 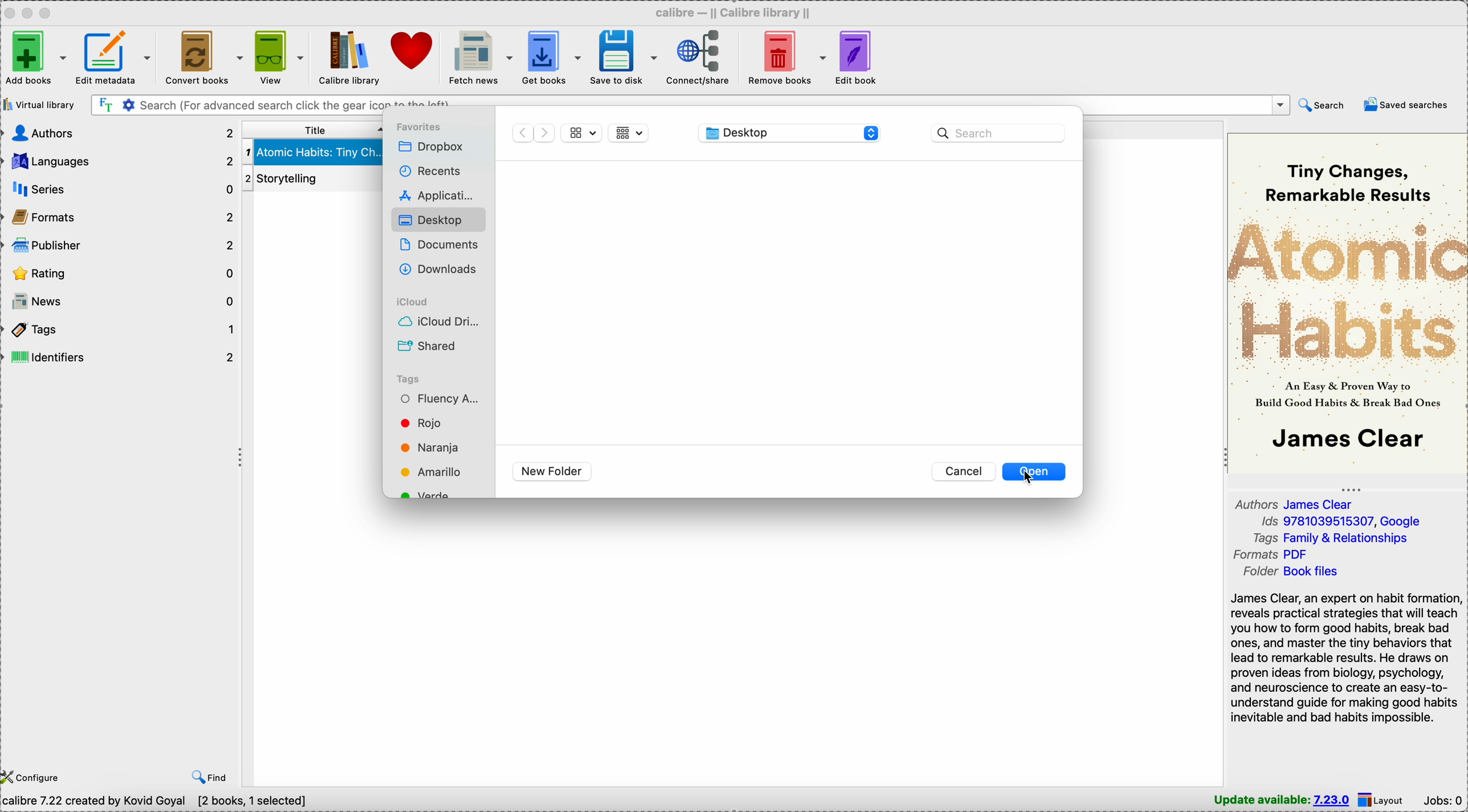 What do you see at coordinates (688, 100) in the screenshot?
I see `search bar` at bounding box center [688, 100].